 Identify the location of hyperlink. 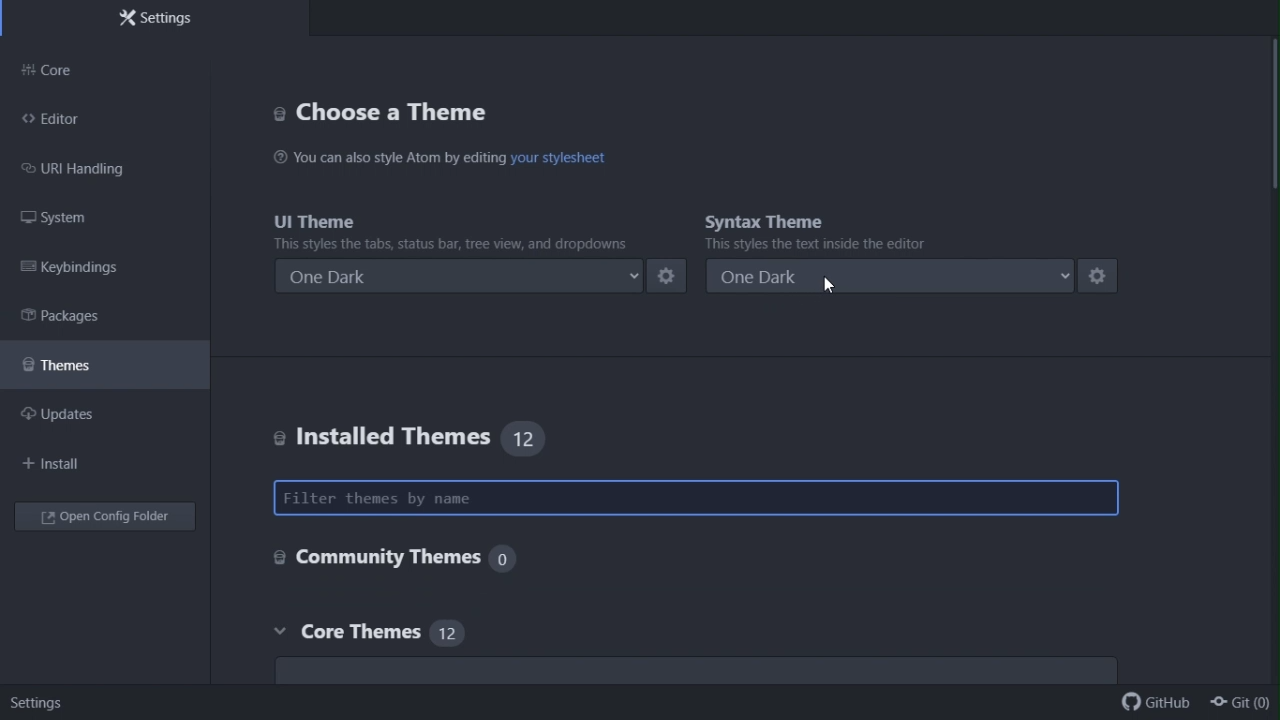
(556, 159).